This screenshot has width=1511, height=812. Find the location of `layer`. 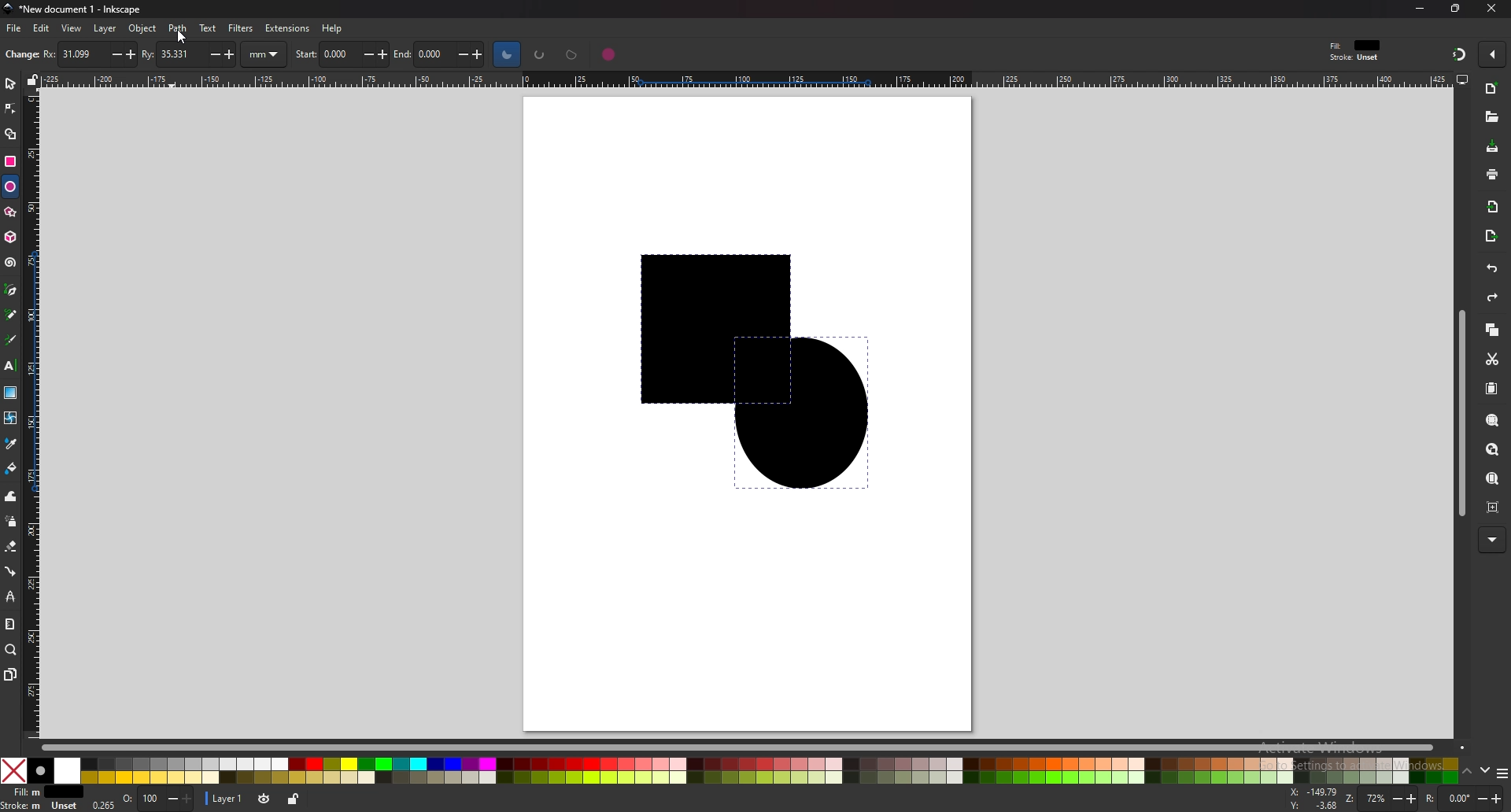

layer is located at coordinates (106, 29).